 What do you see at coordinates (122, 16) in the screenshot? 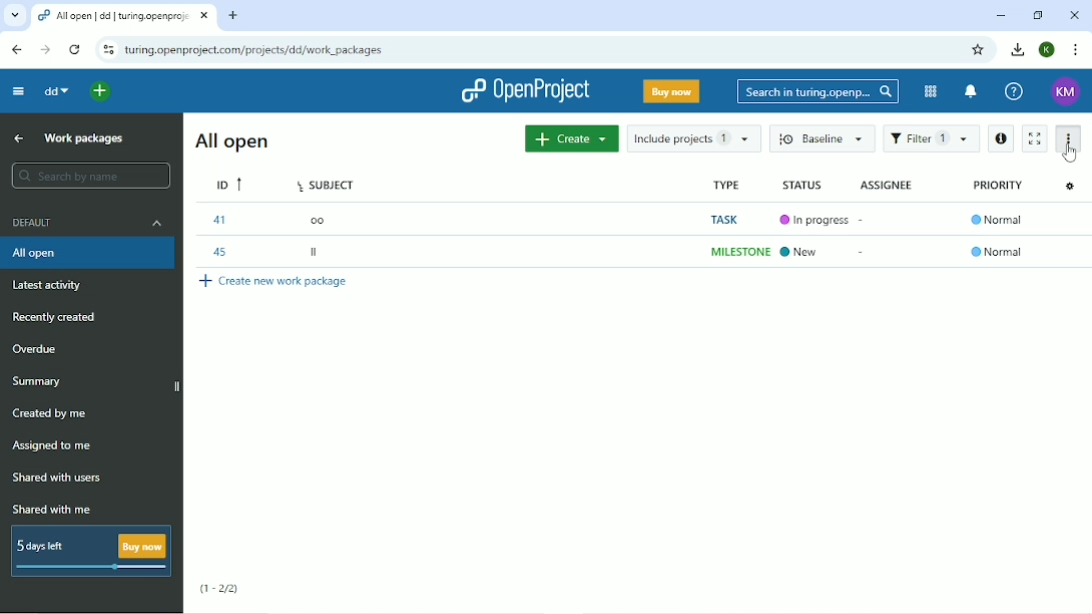
I see `Current tab` at bounding box center [122, 16].